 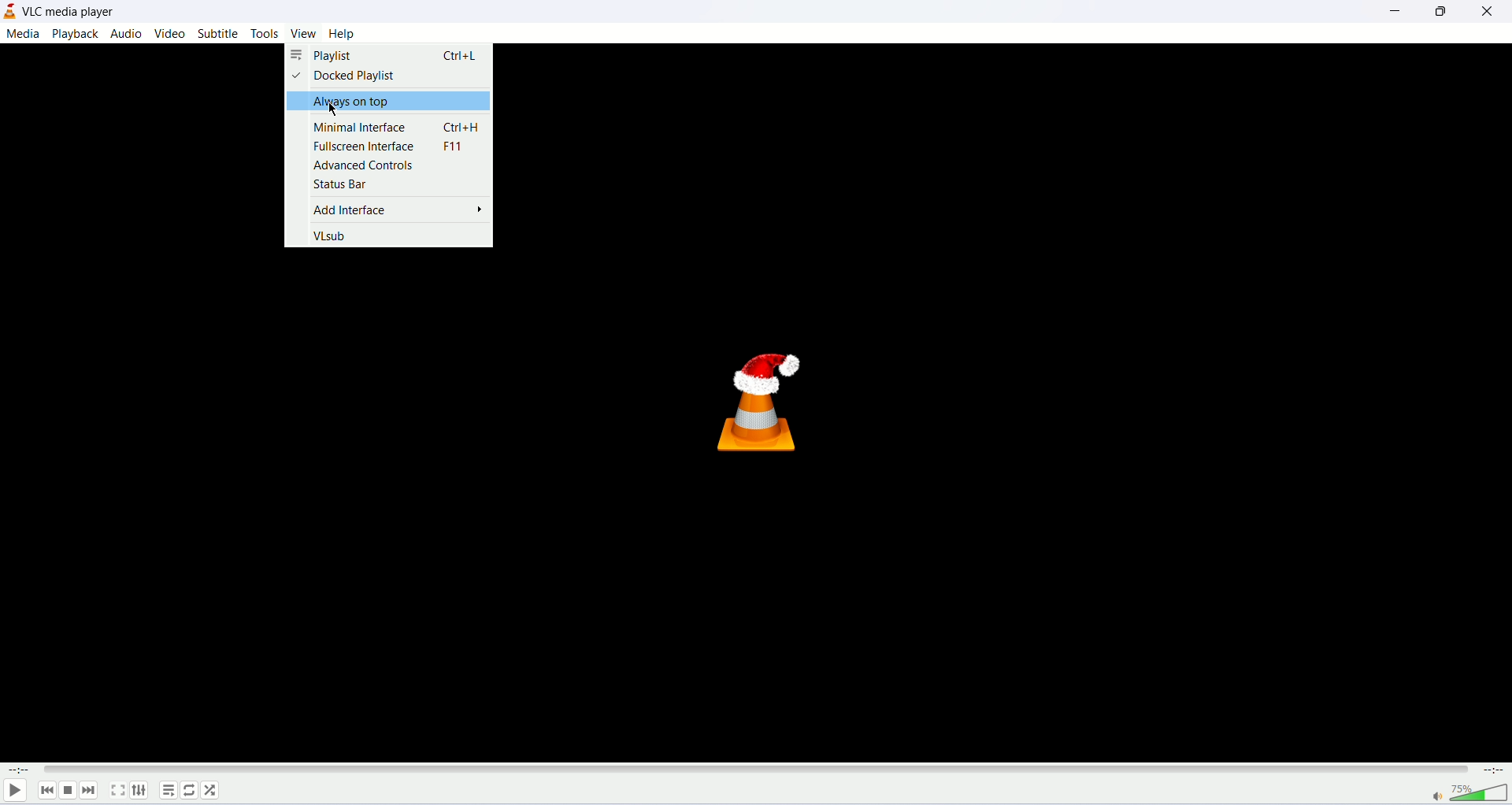 I want to click on minimal interface, so click(x=398, y=124).